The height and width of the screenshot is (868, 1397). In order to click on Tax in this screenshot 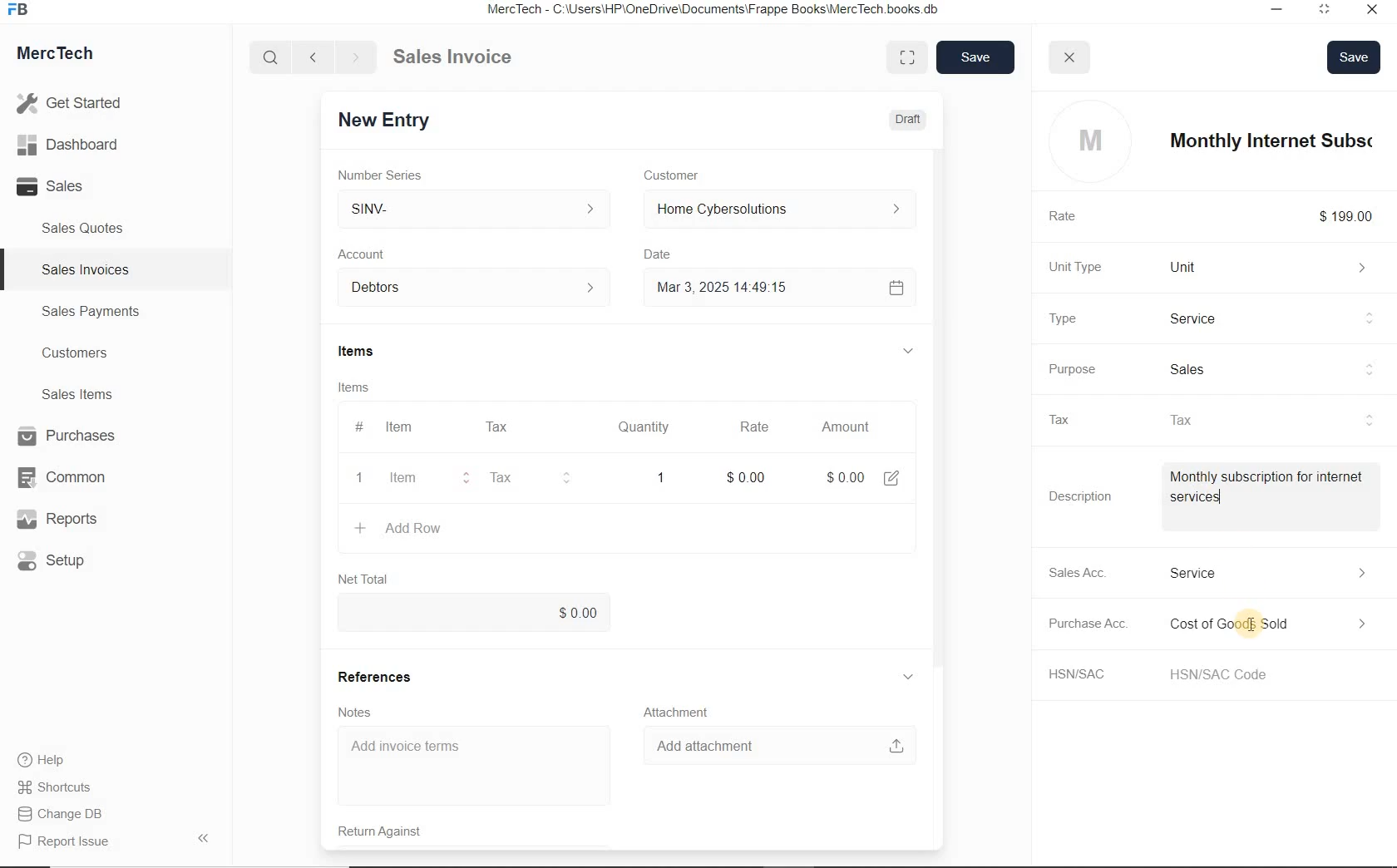, I will do `click(518, 478)`.